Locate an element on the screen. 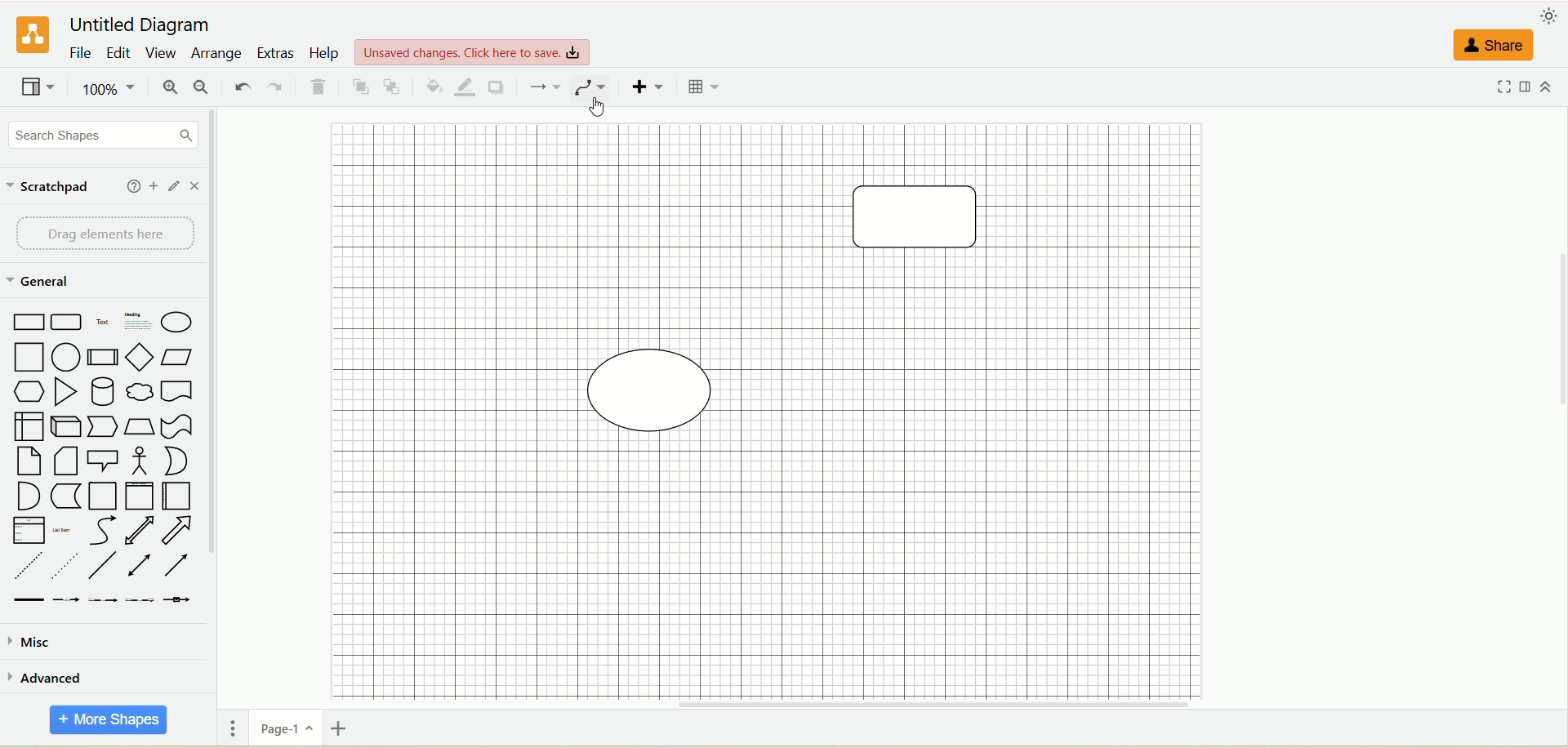 The width and height of the screenshot is (1568, 748). edit is located at coordinates (117, 55).